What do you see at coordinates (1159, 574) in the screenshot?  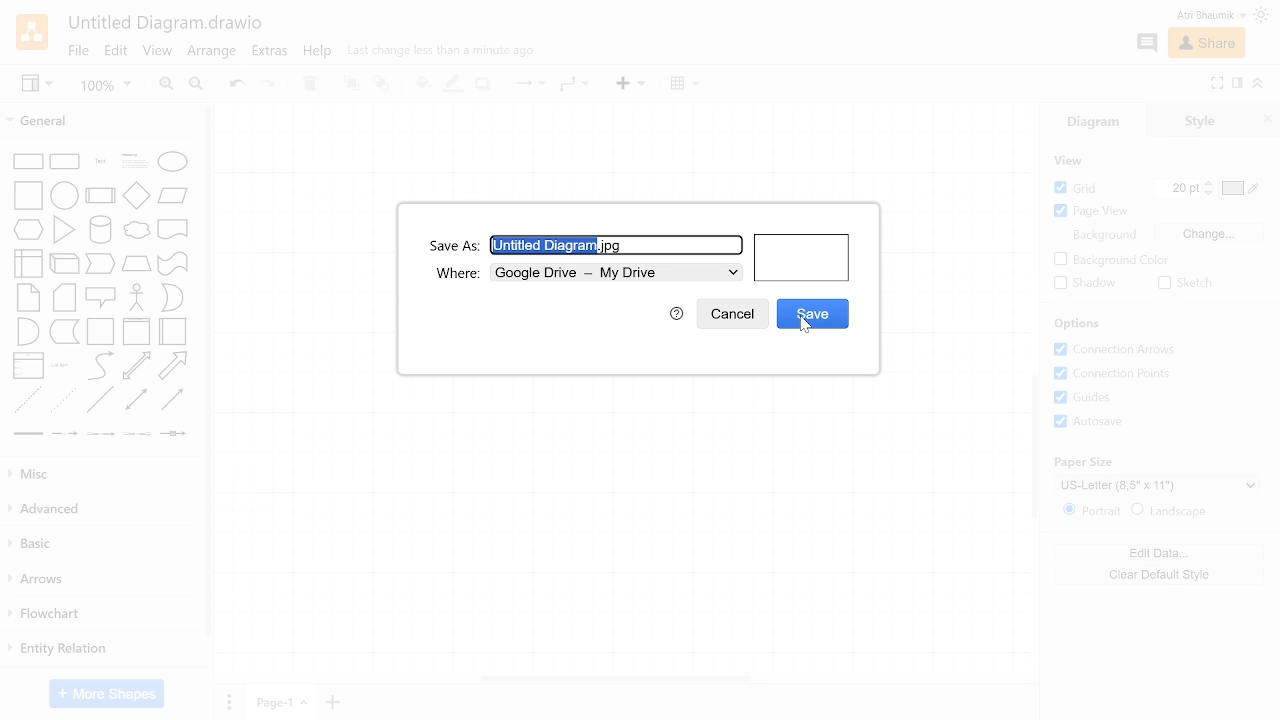 I see `Clear default style` at bounding box center [1159, 574].